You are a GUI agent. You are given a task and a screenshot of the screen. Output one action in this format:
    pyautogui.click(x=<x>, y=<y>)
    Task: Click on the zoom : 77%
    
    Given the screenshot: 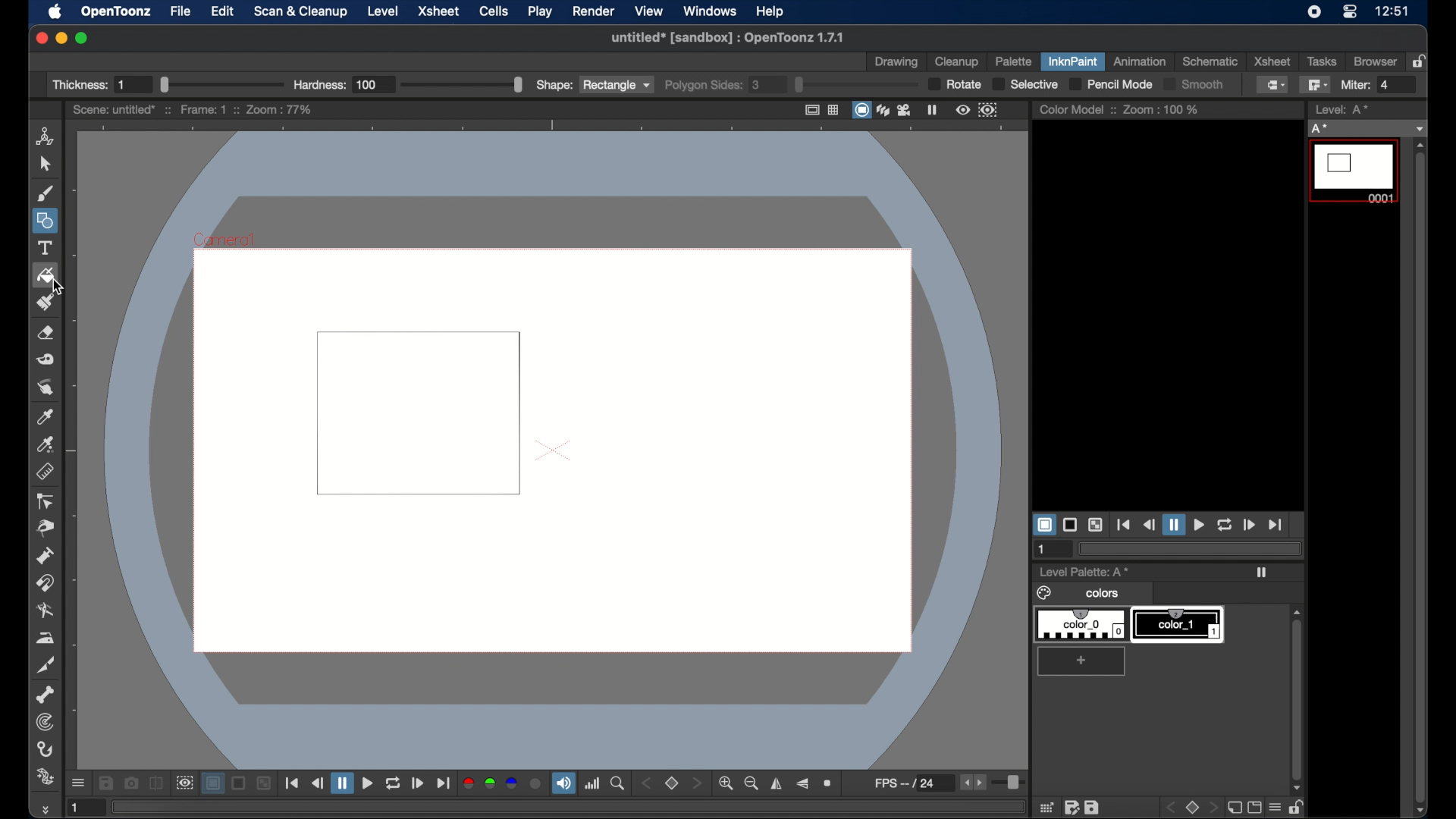 What is the action you would take?
    pyautogui.click(x=276, y=109)
    